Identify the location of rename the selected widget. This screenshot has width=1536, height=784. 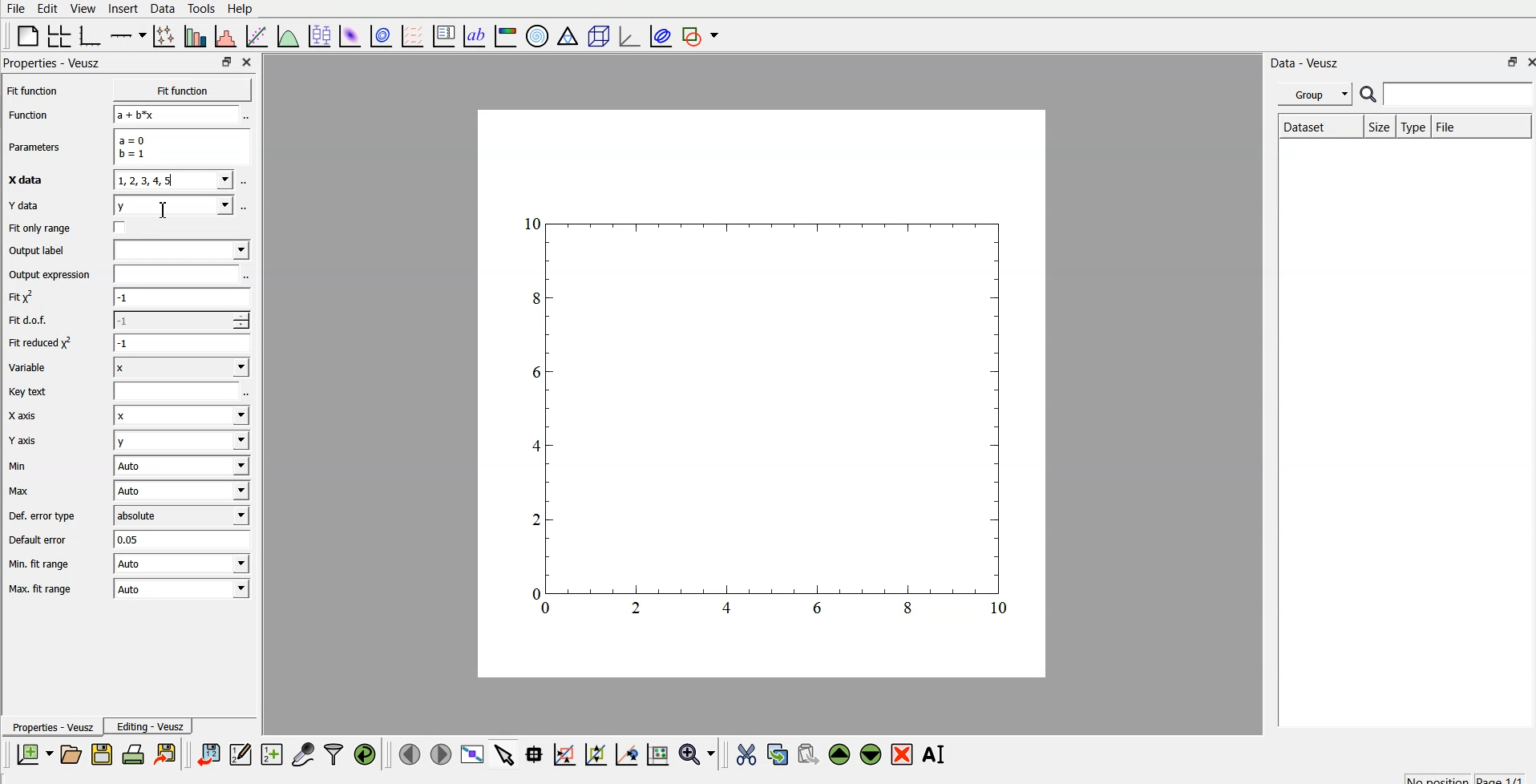
(938, 754).